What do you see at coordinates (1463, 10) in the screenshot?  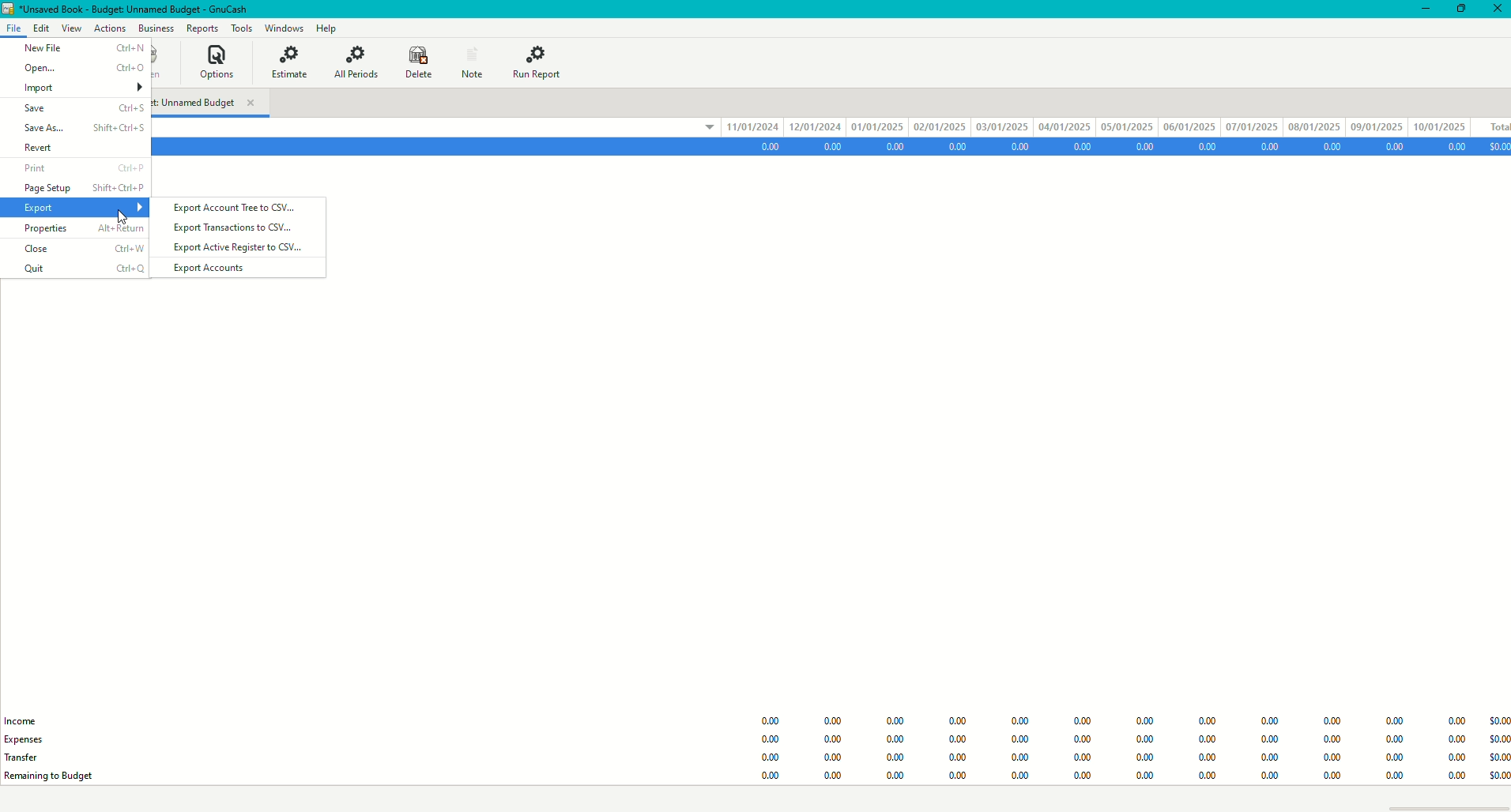 I see `Restore` at bounding box center [1463, 10].